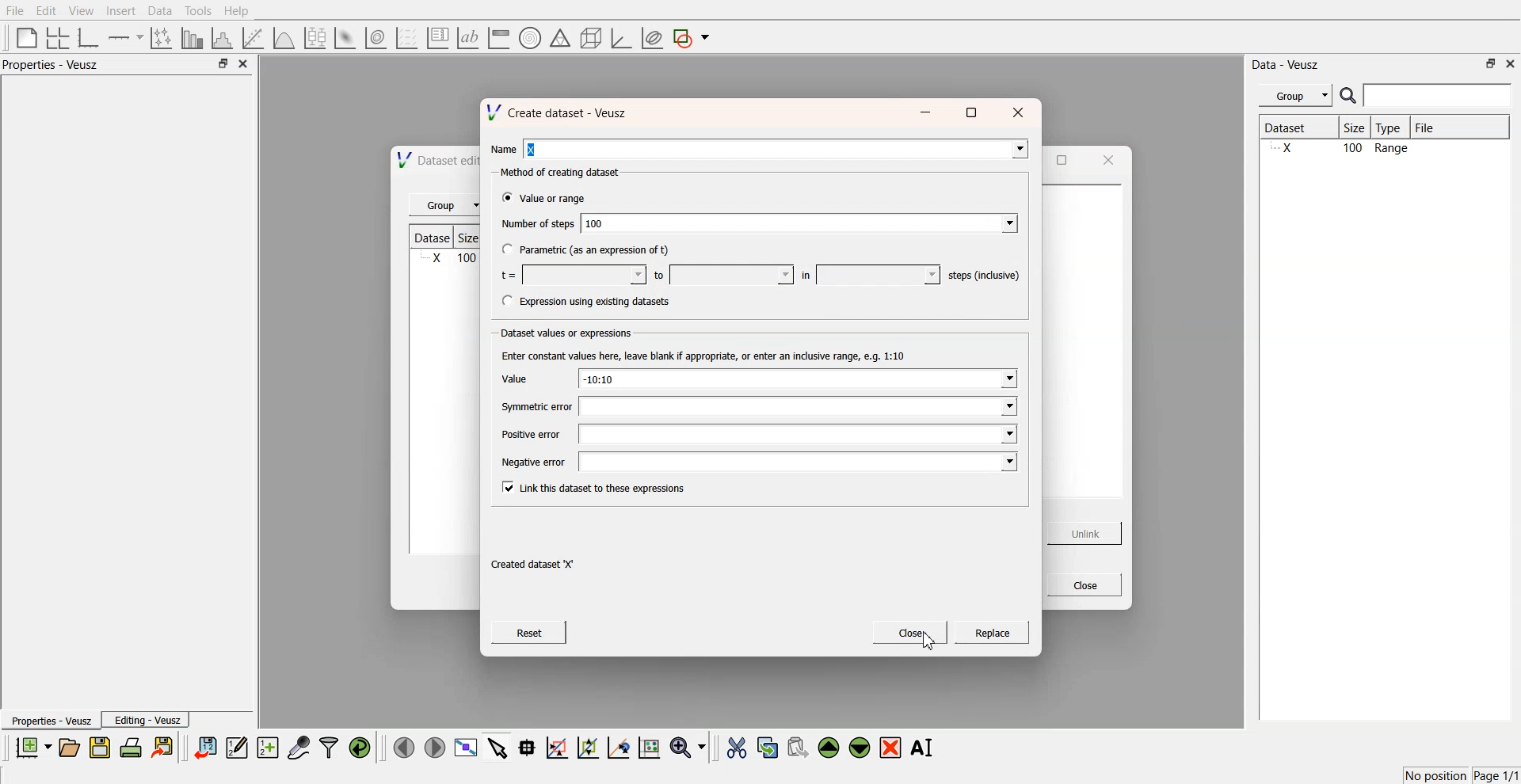 This screenshot has width=1521, height=784. I want to click on steps (inclusive), so click(985, 275).